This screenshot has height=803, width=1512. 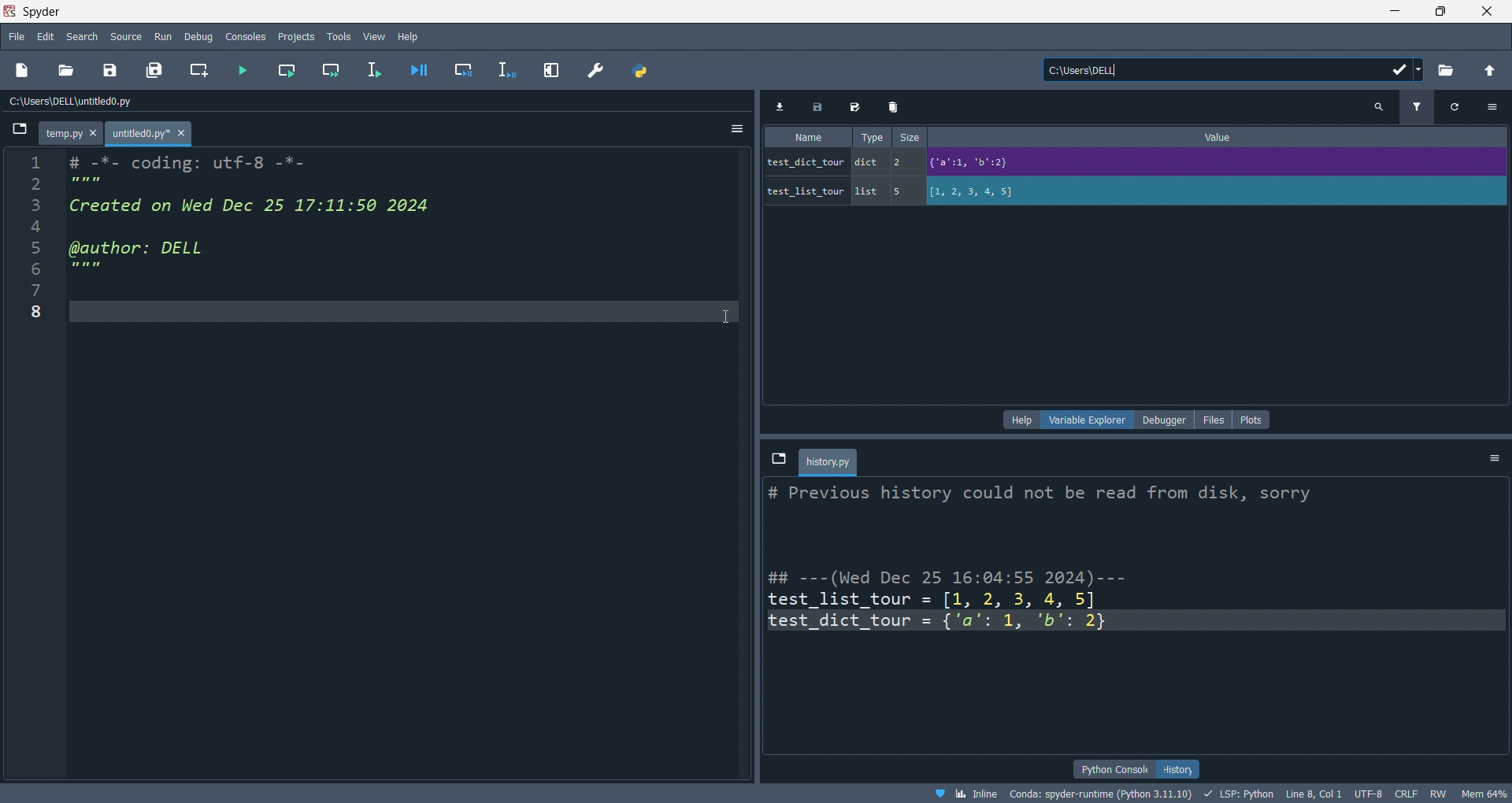 I want to click on tools, so click(x=337, y=37).